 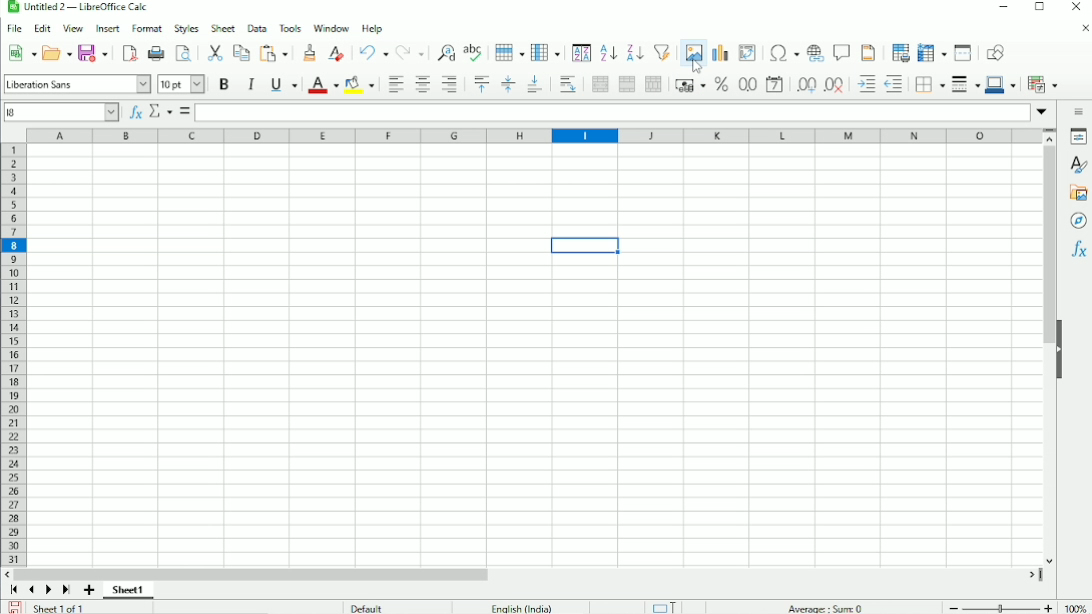 I want to click on Redo, so click(x=411, y=52).